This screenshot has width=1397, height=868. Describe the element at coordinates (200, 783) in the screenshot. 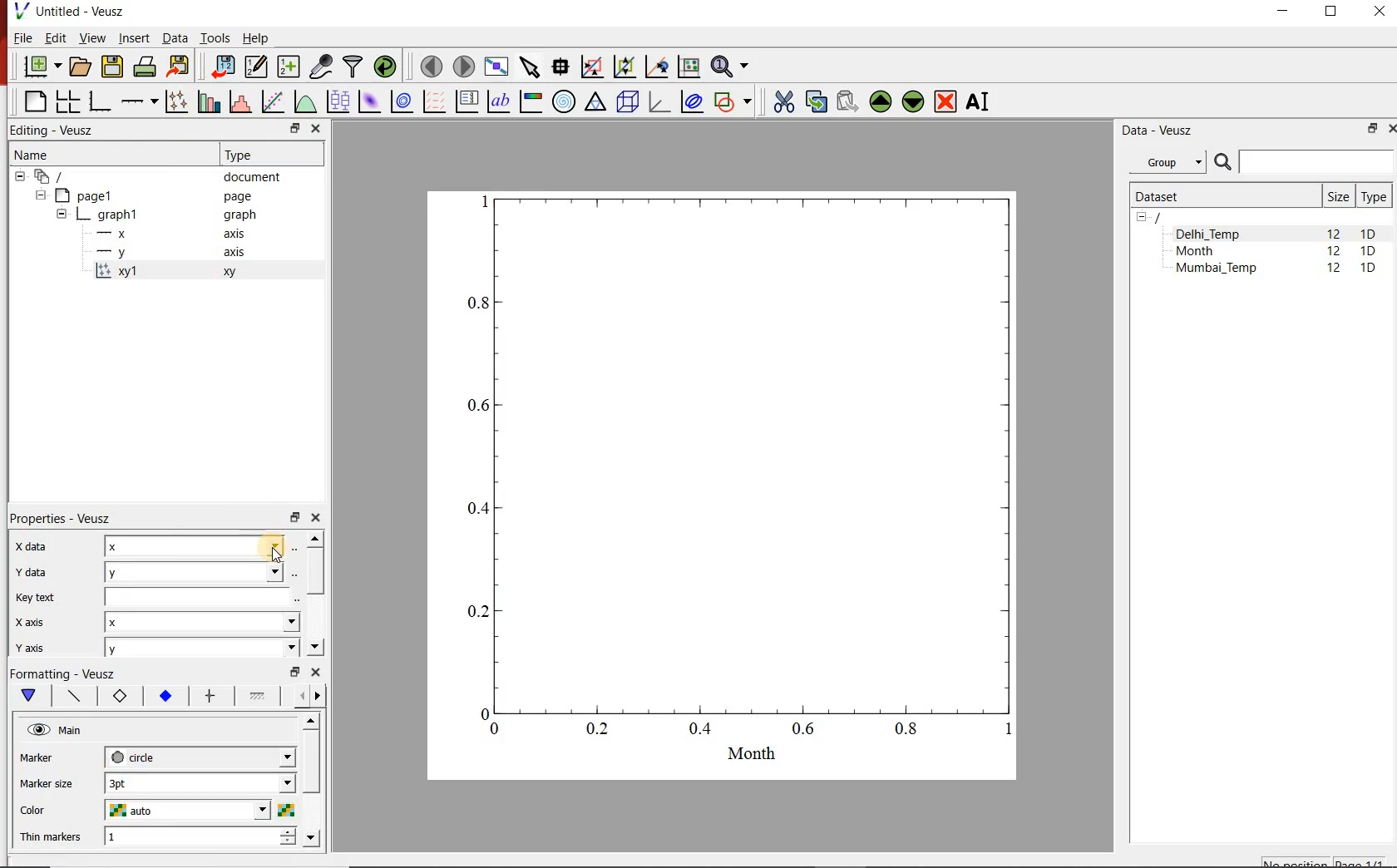

I see `3pt` at that location.